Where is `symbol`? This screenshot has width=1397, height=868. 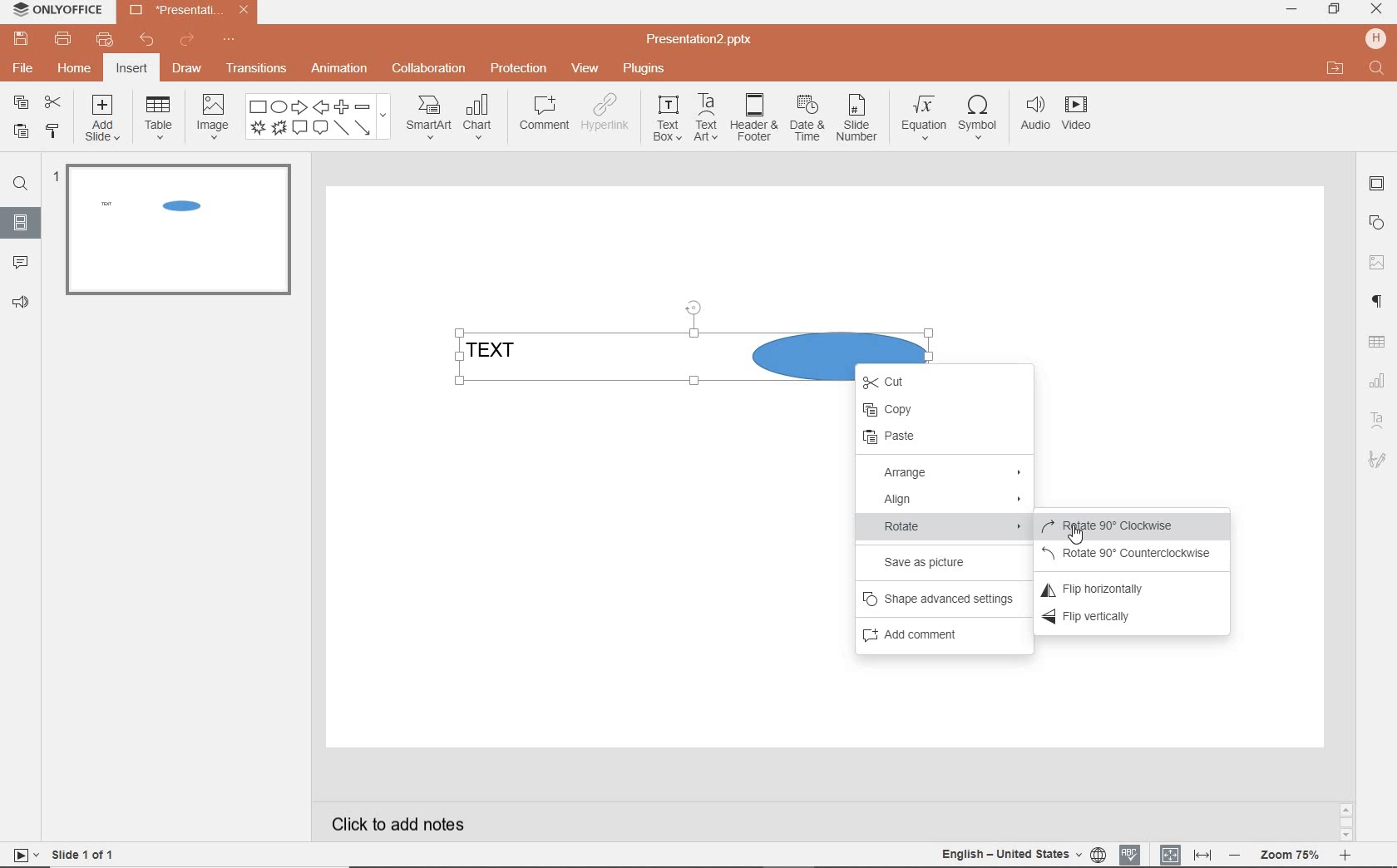 symbol is located at coordinates (975, 121).